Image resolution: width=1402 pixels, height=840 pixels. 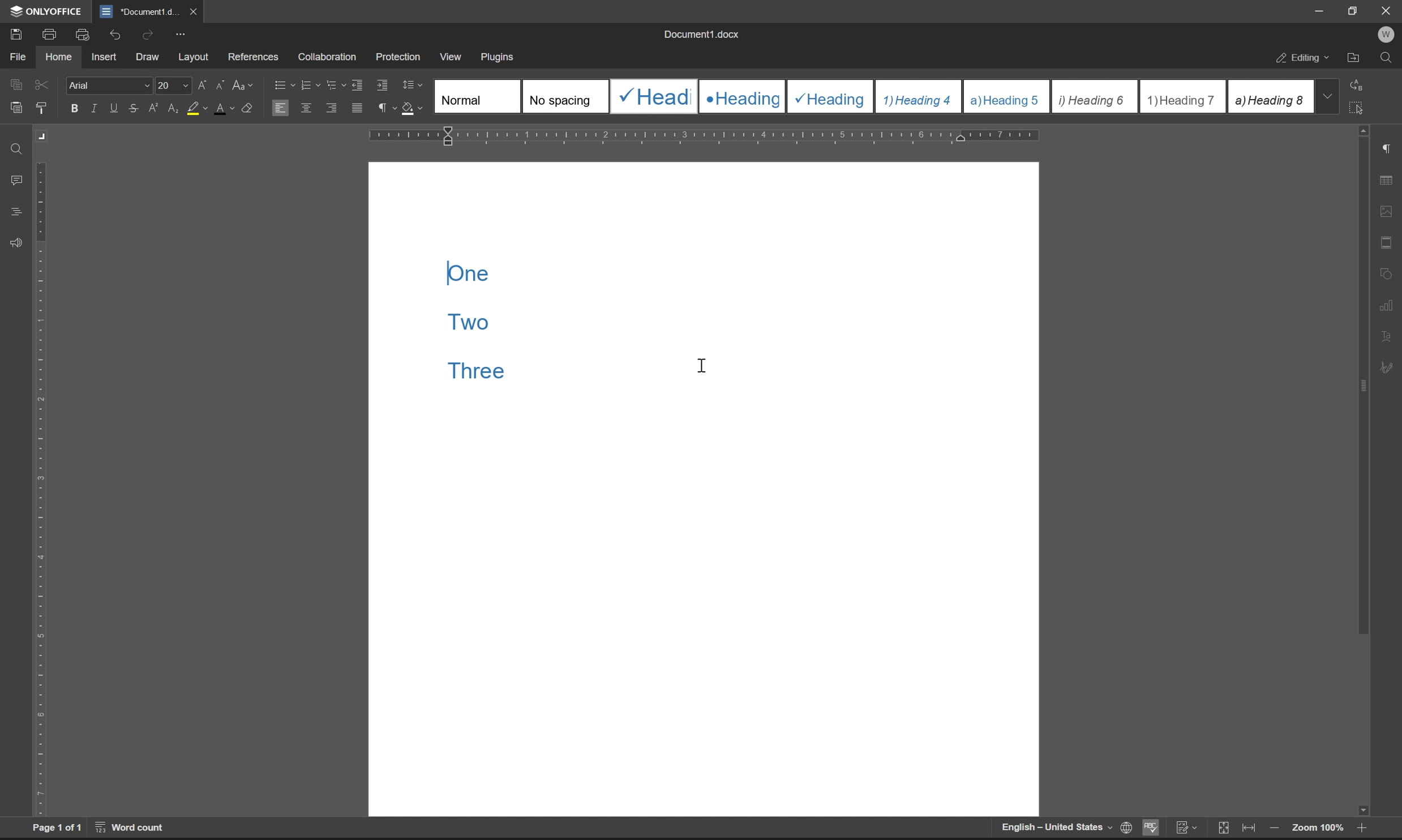 I want to click on align right, so click(x=333, y=107).